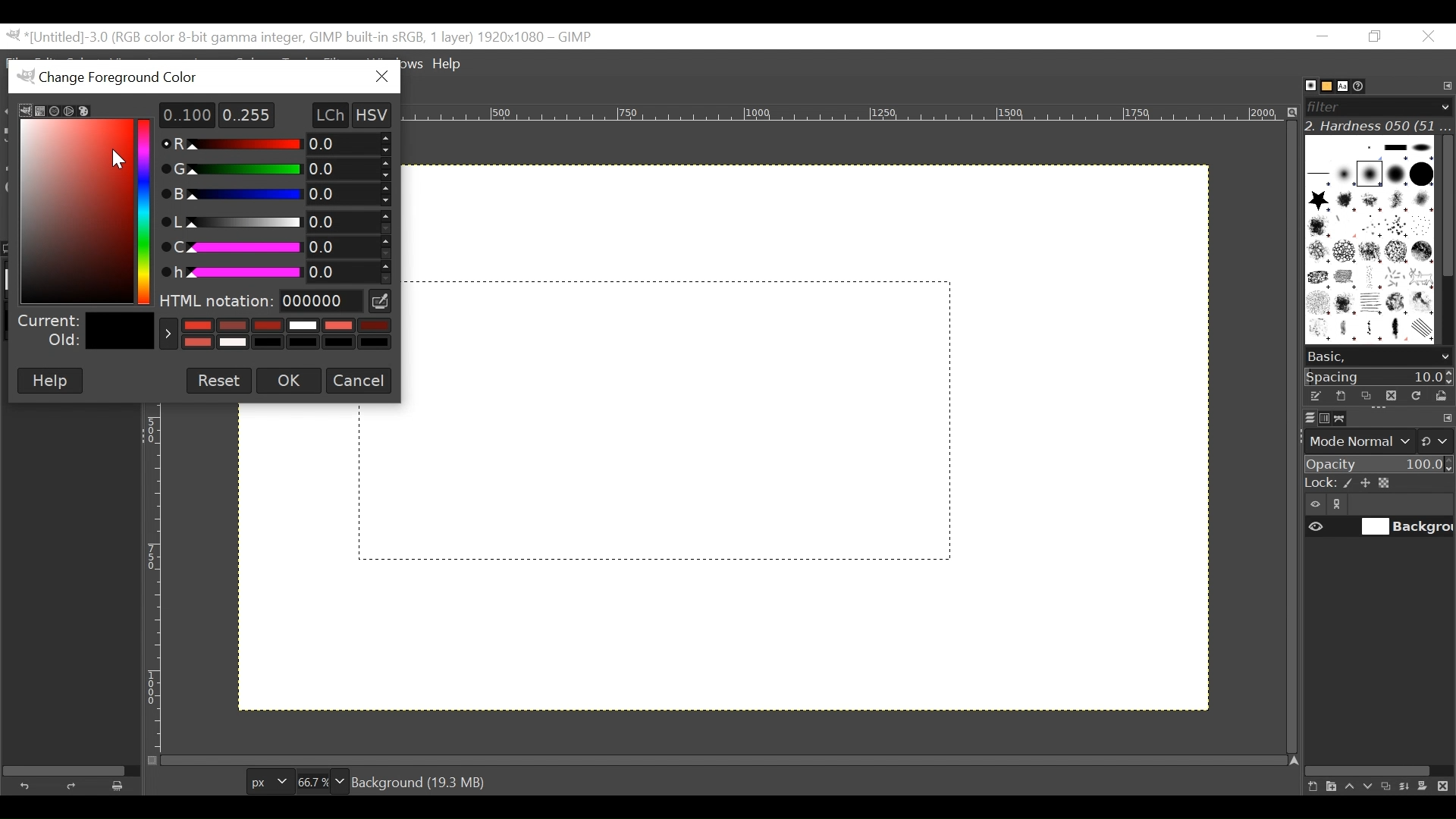  I want to click on OK, so click(287, 381).